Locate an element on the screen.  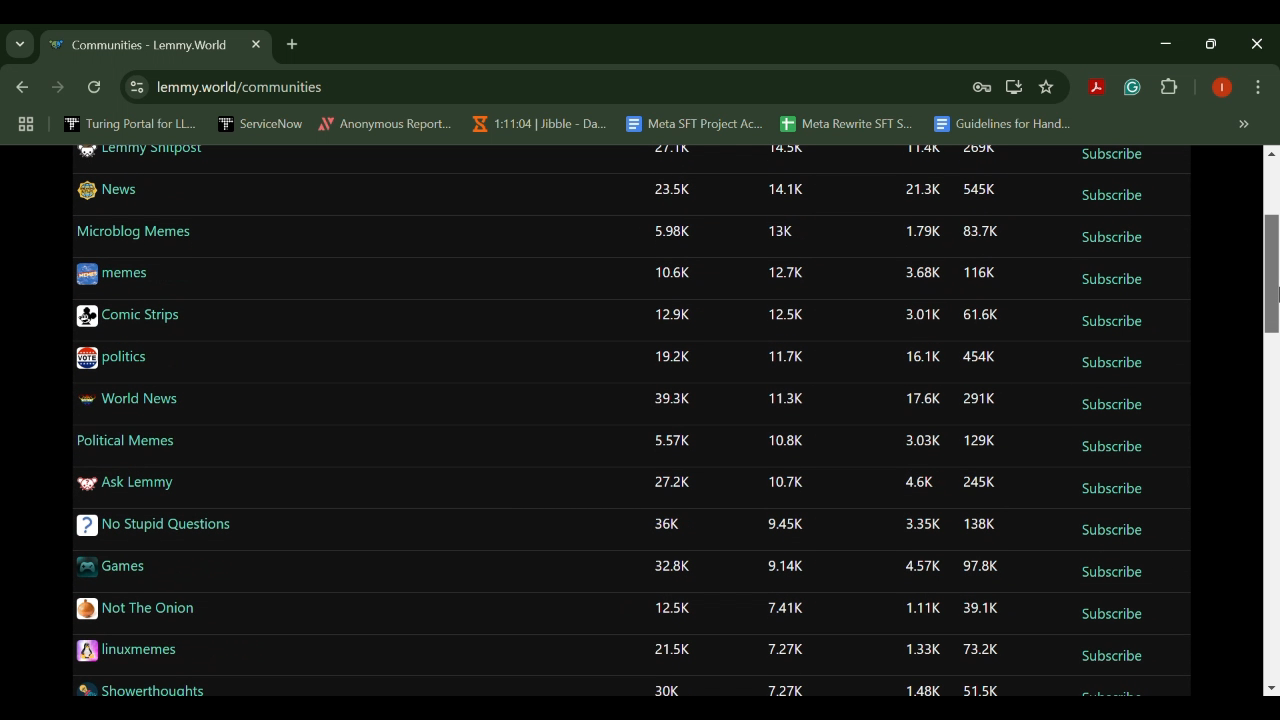
1.48K is located at coordinates (922, 691).